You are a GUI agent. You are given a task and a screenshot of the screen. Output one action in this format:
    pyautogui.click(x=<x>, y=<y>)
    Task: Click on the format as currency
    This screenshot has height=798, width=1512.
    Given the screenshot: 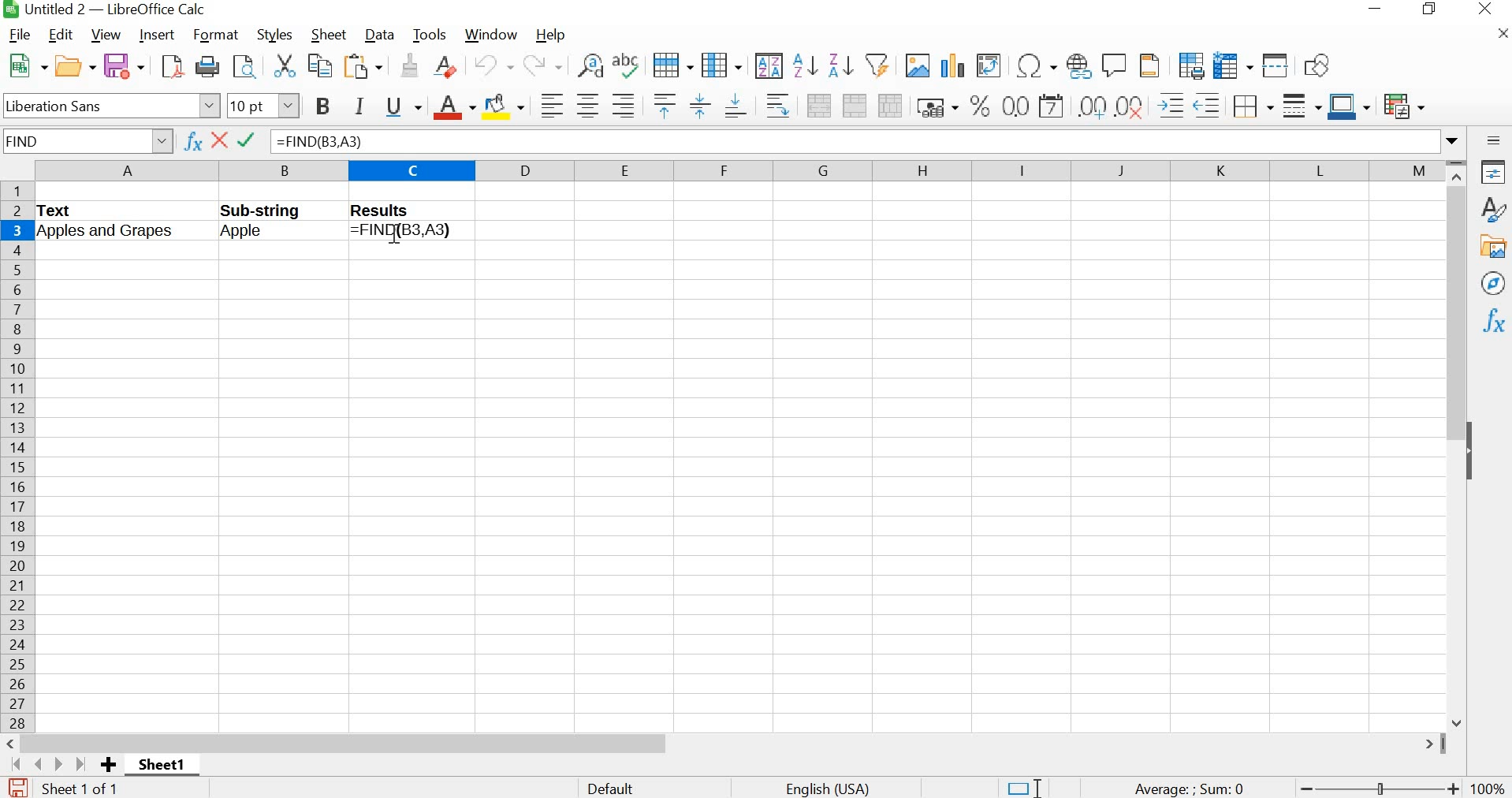 What is the action you would take?
    pyautogui.click(x=935, y=106)
    